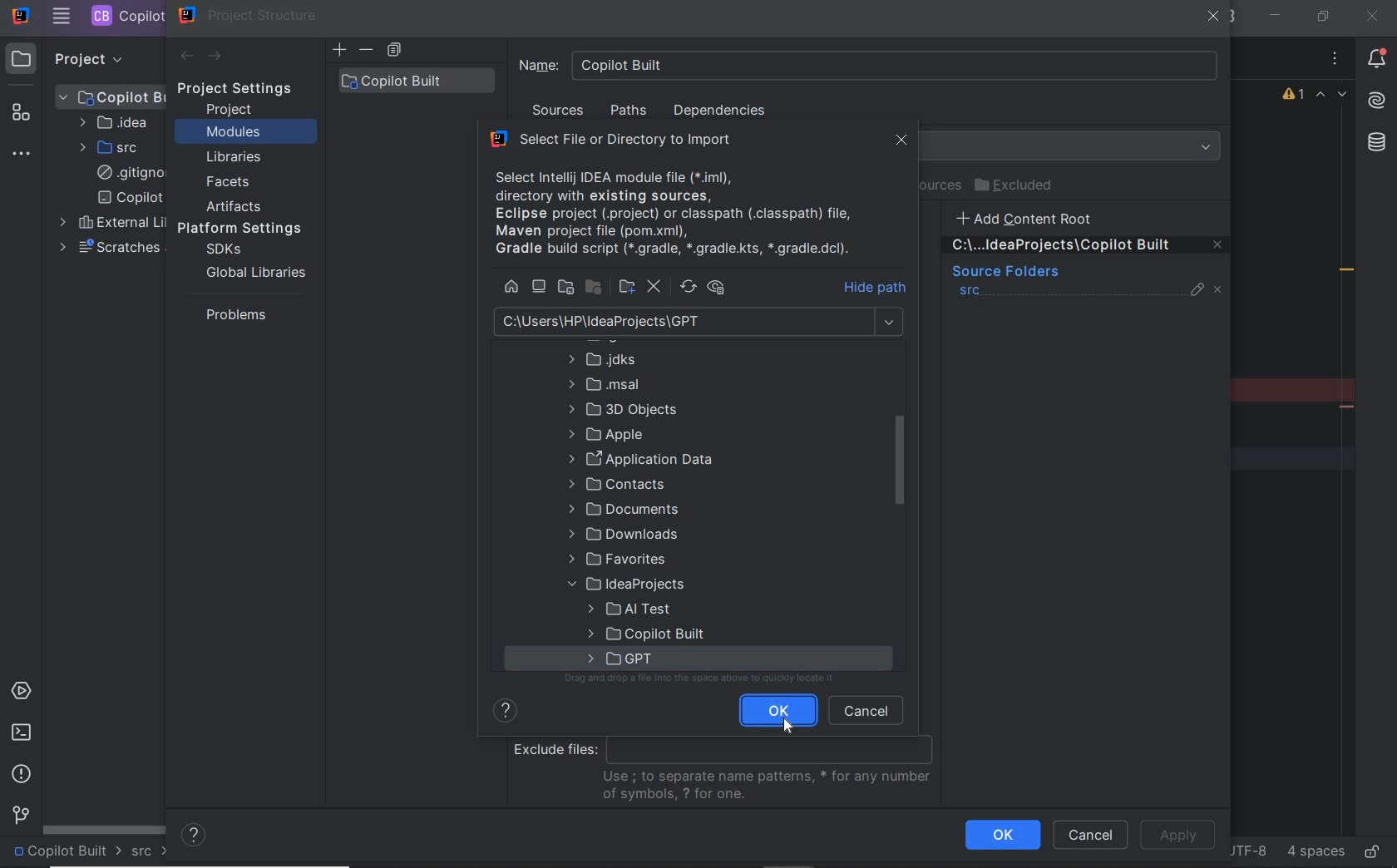  What do you see at coordinates (417, 80) in the screenshot?
I see `copilot built` at bounding box center [417, 80].